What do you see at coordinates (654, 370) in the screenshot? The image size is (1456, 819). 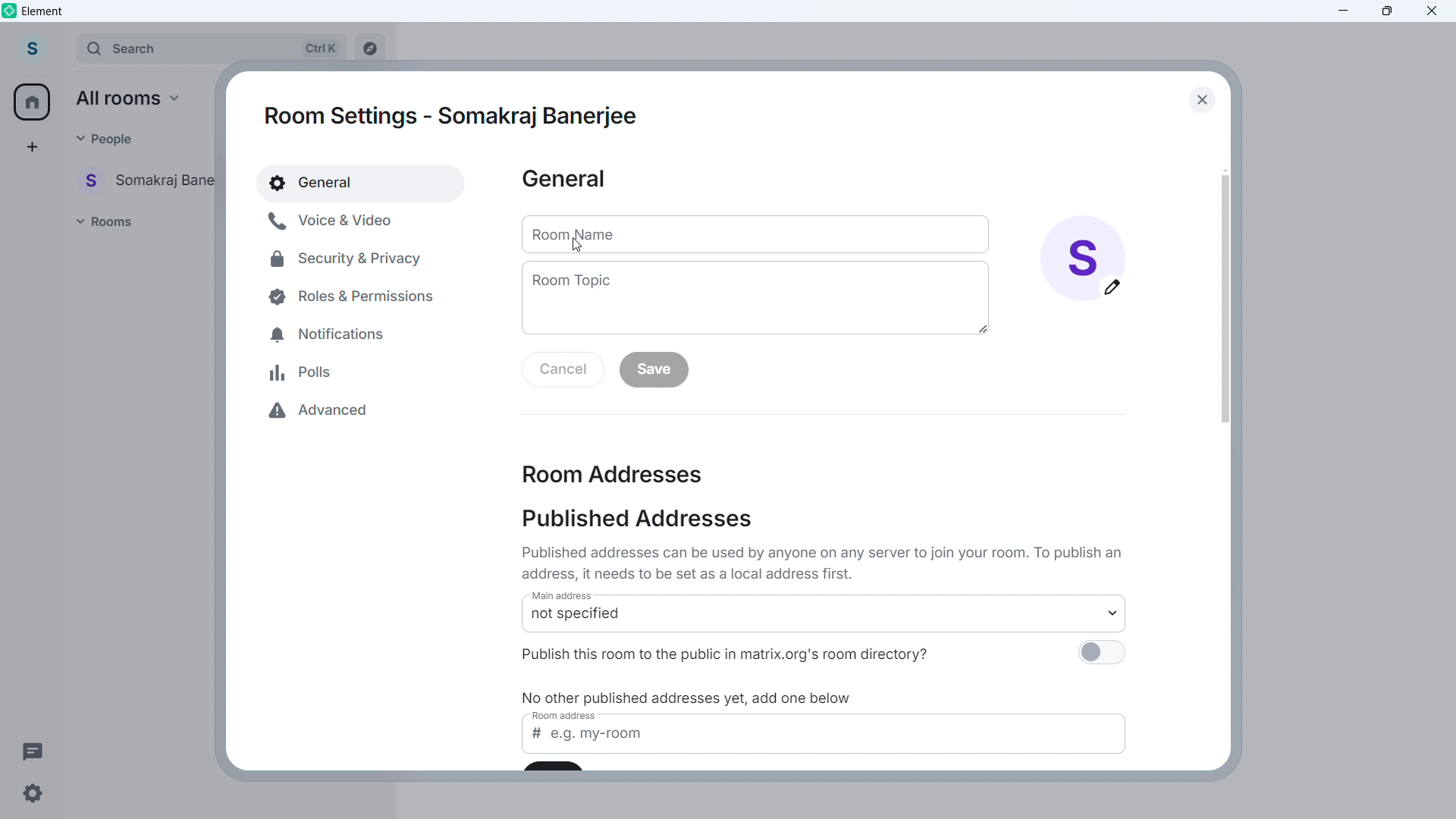 I see `save ` at bounding box center [654, 370].